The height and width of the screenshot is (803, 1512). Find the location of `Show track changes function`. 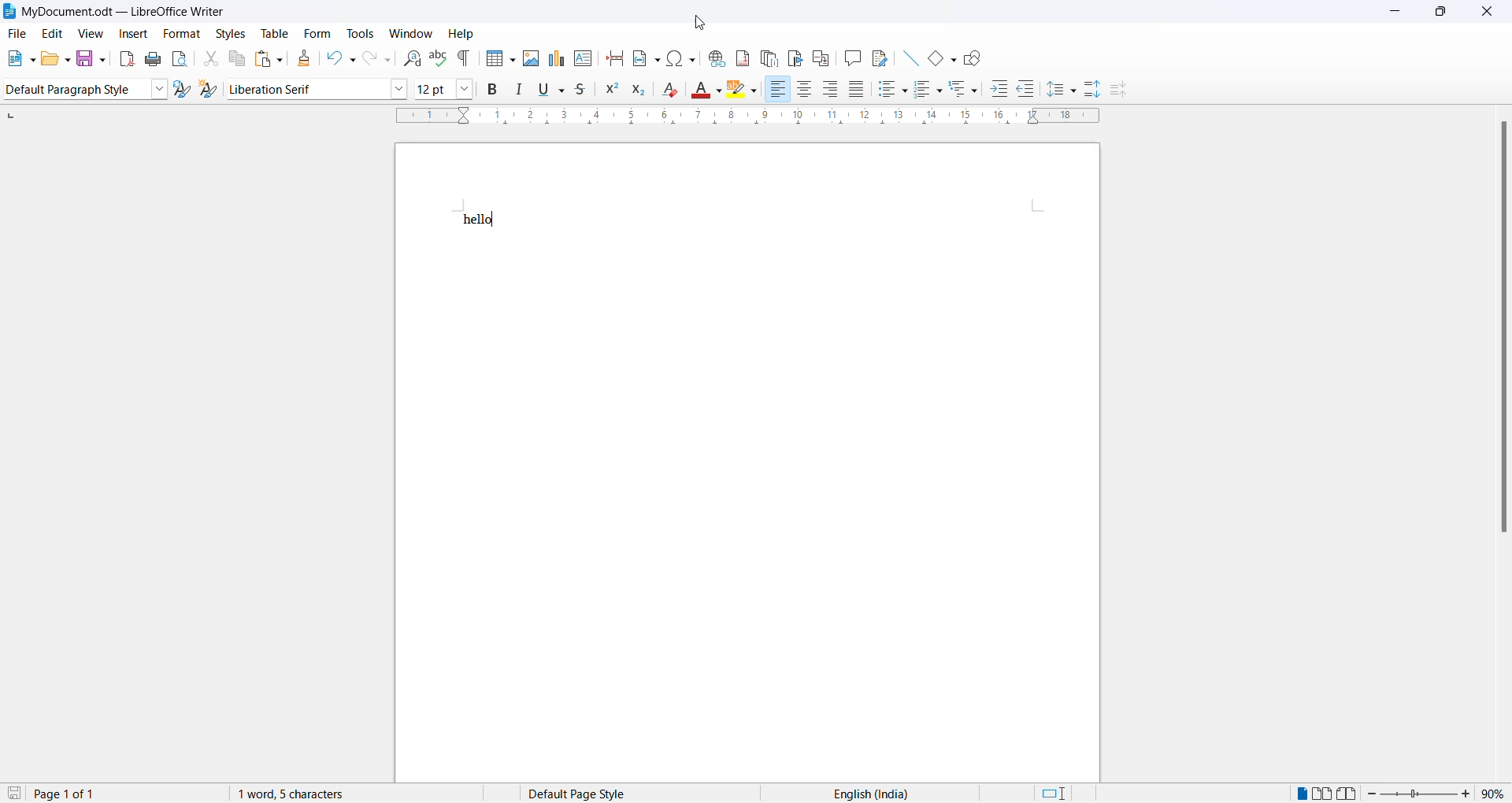

Show track changes function is located at coordinates (880, 58).